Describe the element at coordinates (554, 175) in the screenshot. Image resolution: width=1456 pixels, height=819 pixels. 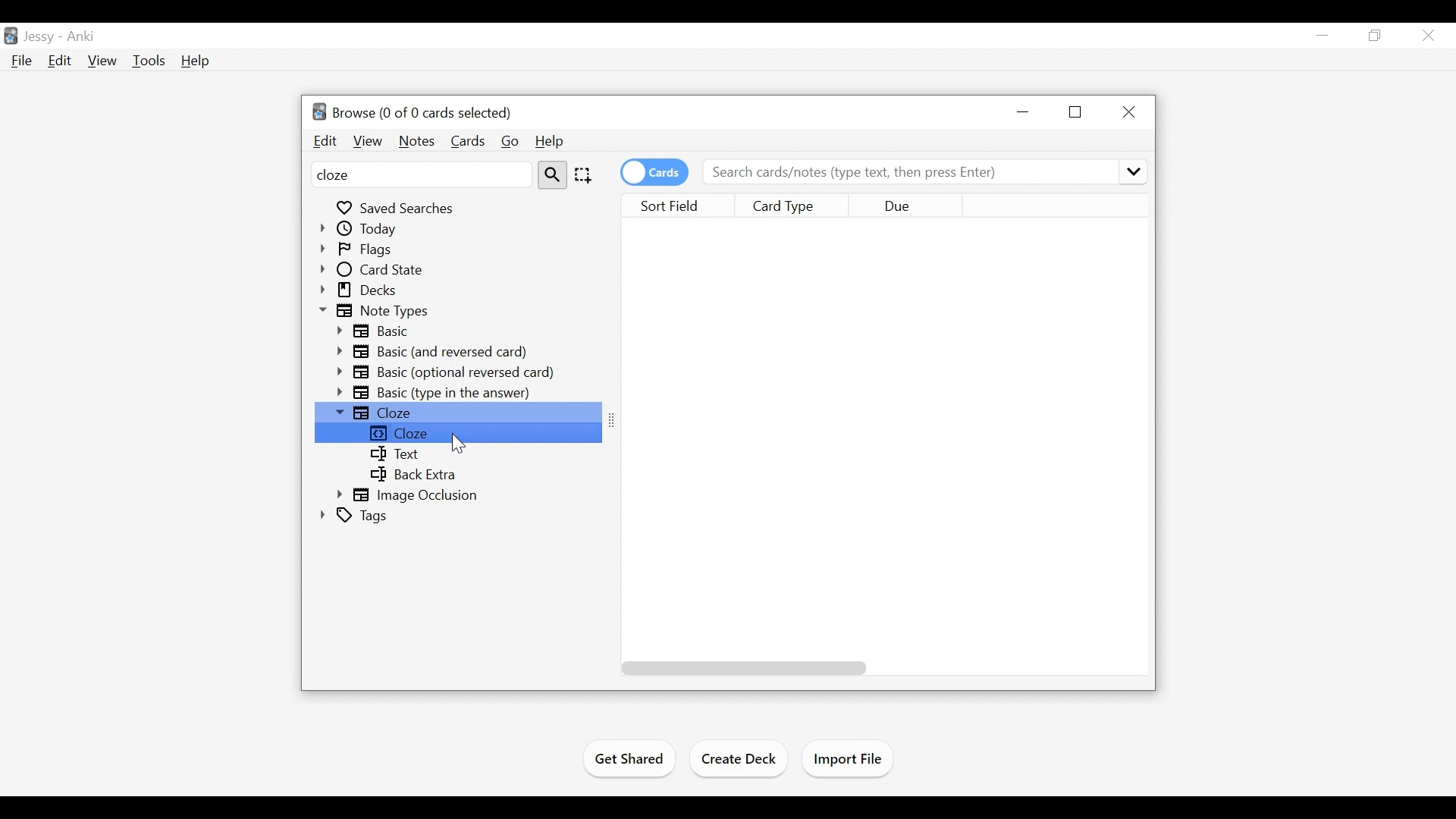
I see `Search tool` at that location.